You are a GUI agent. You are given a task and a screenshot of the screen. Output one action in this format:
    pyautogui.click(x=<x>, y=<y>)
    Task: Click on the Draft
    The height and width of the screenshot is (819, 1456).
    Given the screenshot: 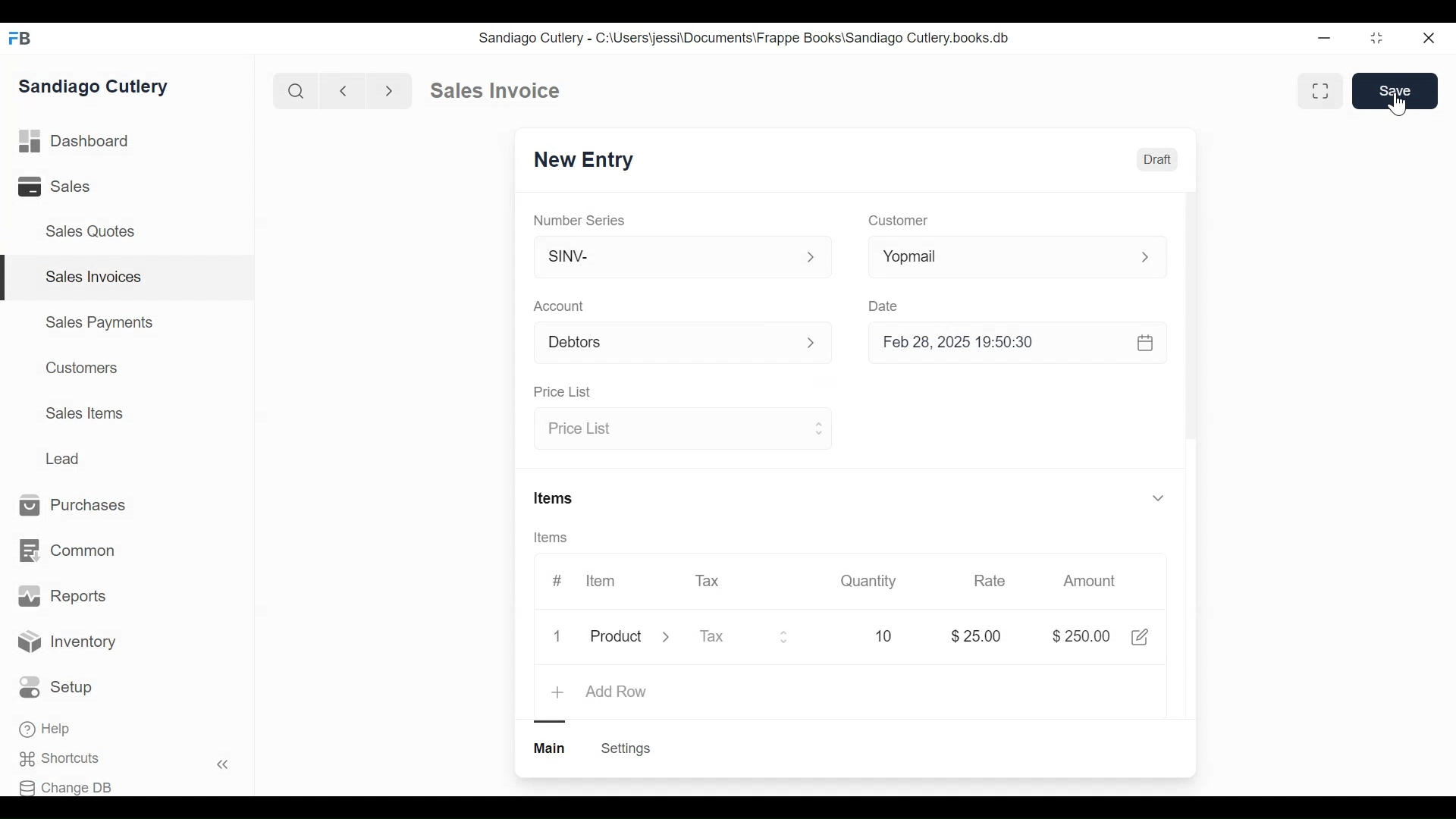 What is the action you would take?
    pyautogui.click(x=1156, y=159)
    